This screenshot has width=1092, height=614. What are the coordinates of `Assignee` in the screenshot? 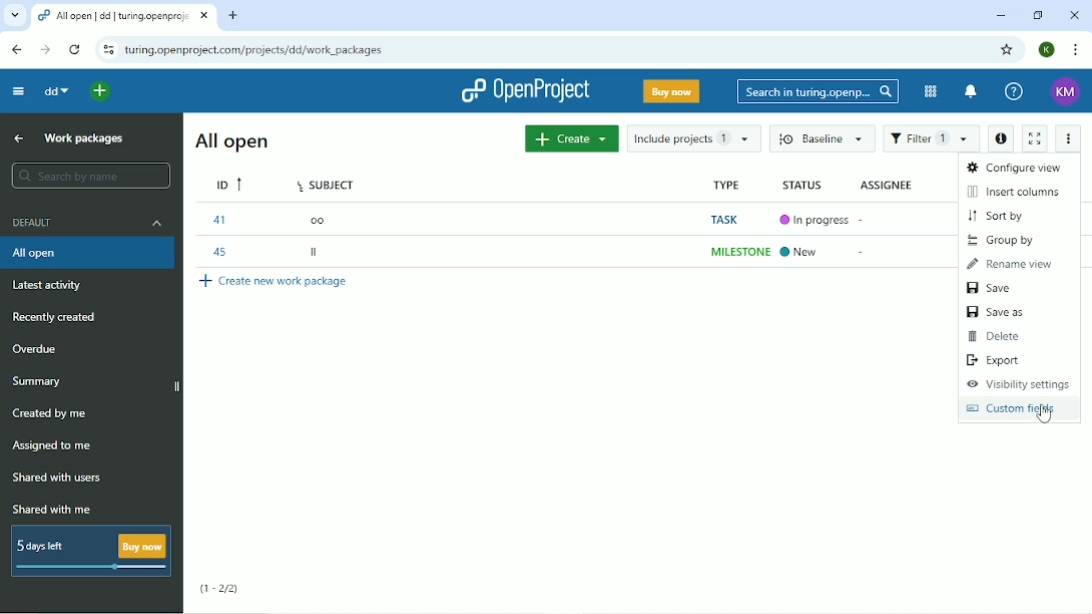 It's located at (888, 185).